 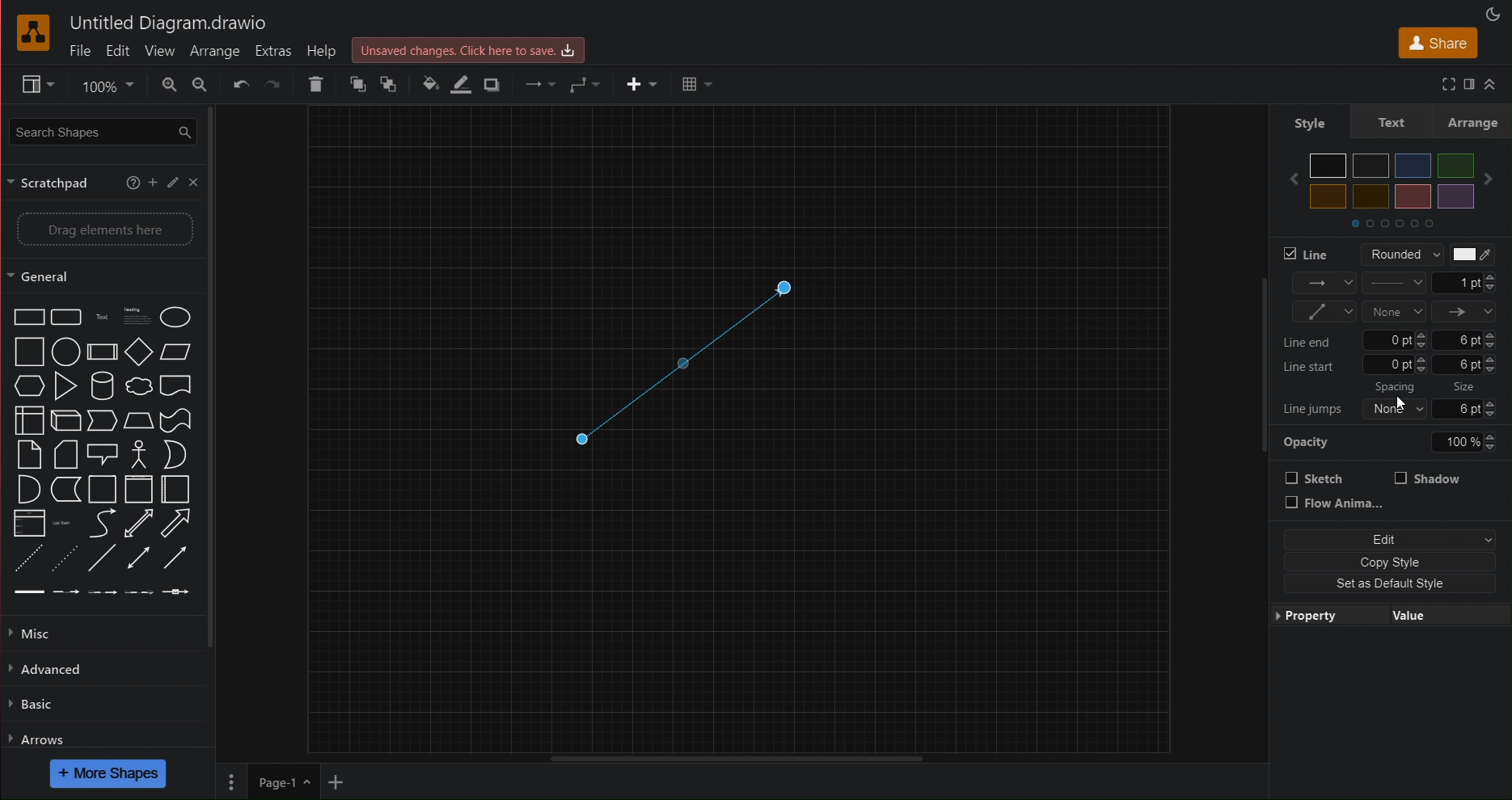 I want to click on General, so click(x=50, y=276).